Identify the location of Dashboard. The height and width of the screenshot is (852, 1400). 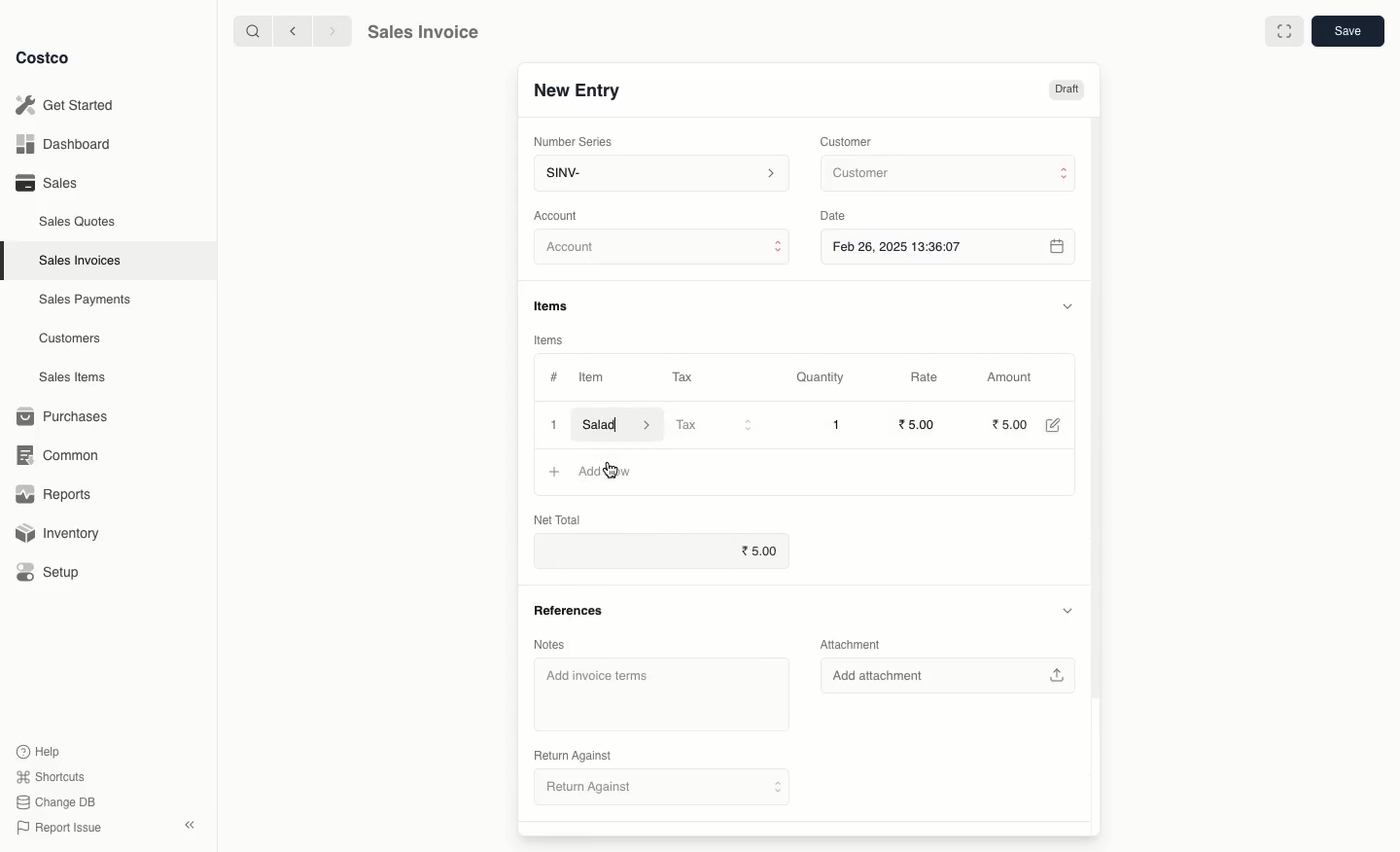
(60, 145).